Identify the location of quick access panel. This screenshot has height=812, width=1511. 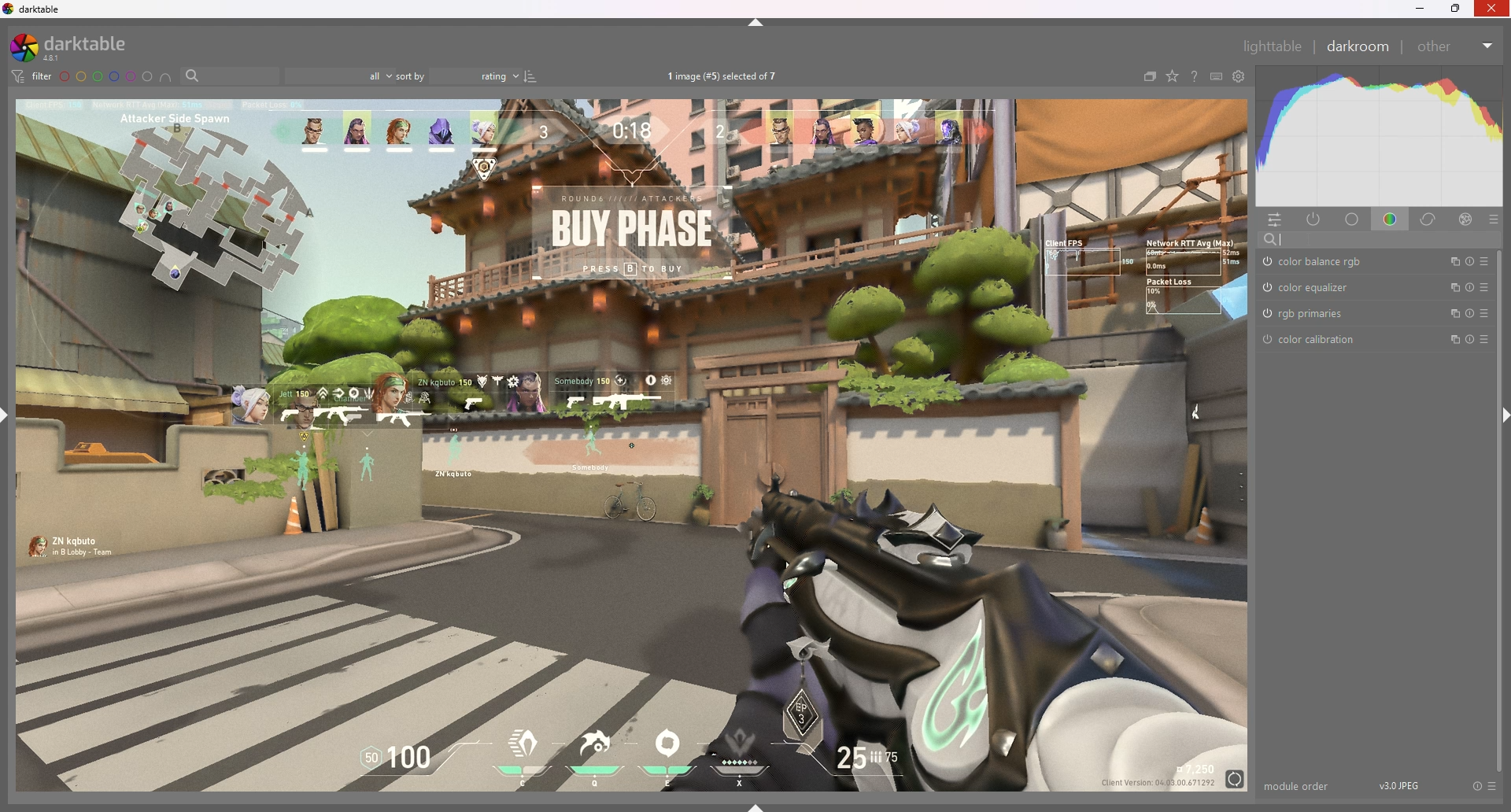
(1278, 220).